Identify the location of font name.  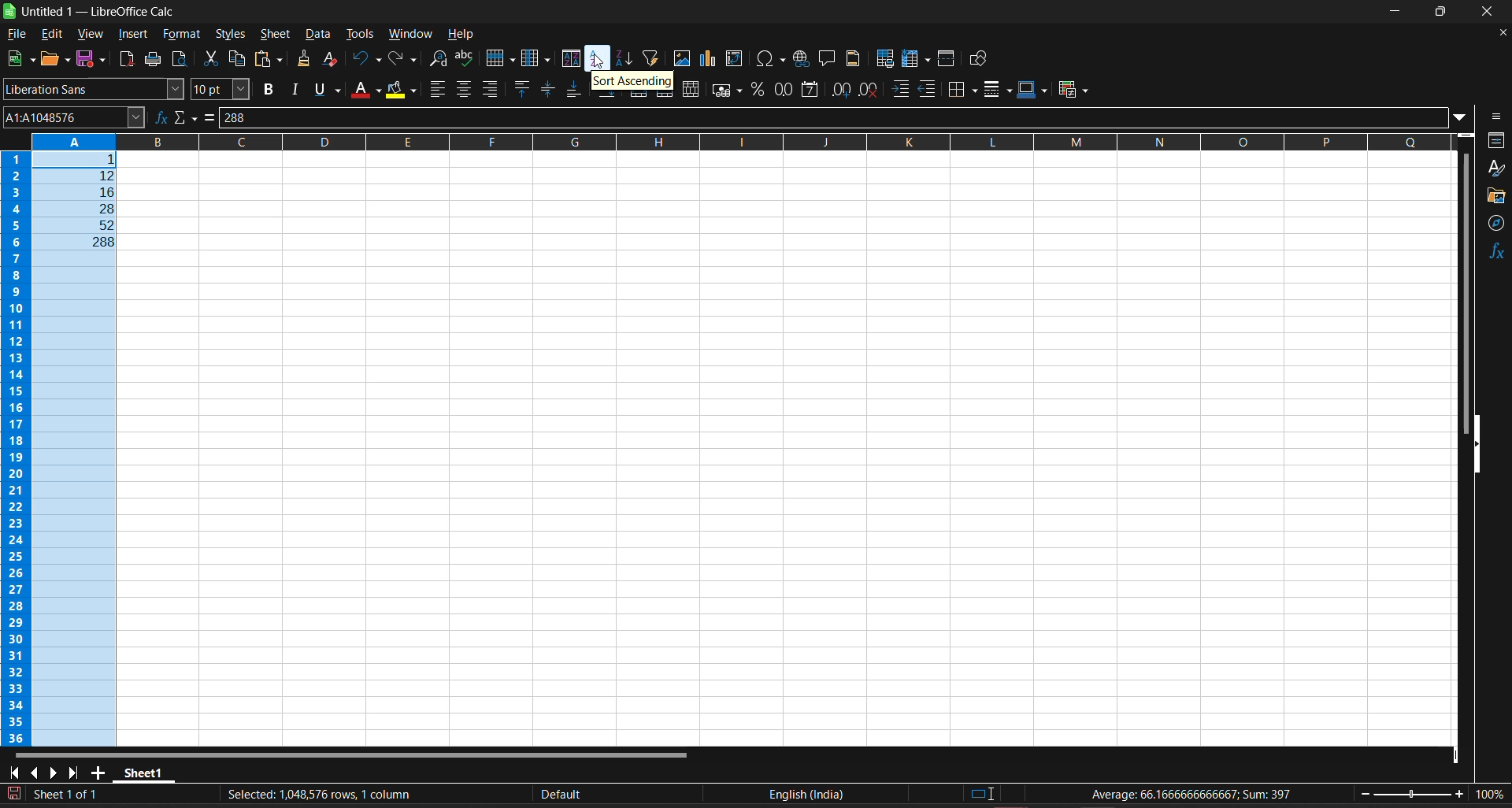
(94, 91).